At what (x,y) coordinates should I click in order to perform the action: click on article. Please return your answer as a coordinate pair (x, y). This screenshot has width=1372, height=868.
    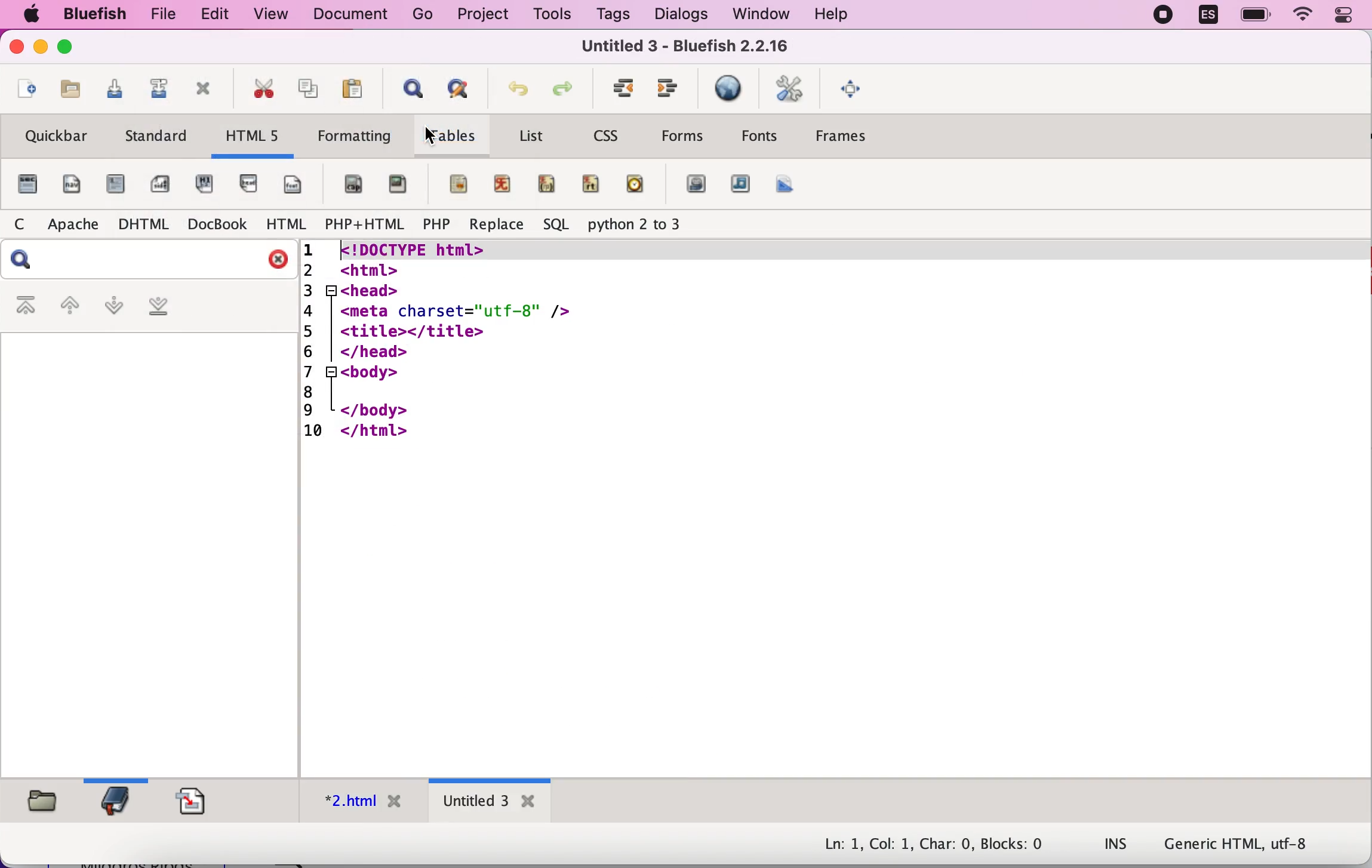
    Looking at the image, I should click on (115, 186).